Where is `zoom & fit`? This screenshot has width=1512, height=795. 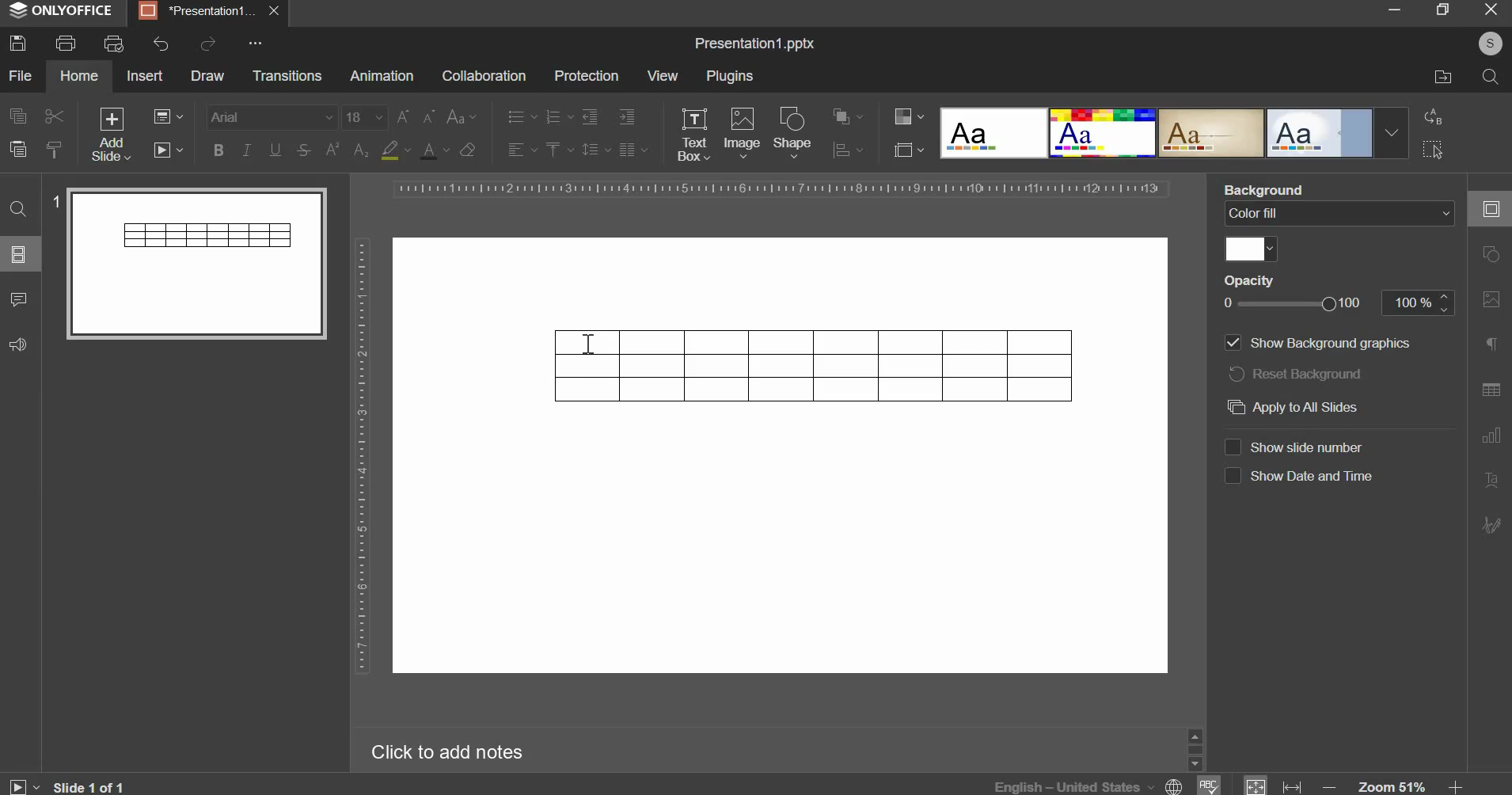
zoom & fit is located at coordinates (1352, 785).